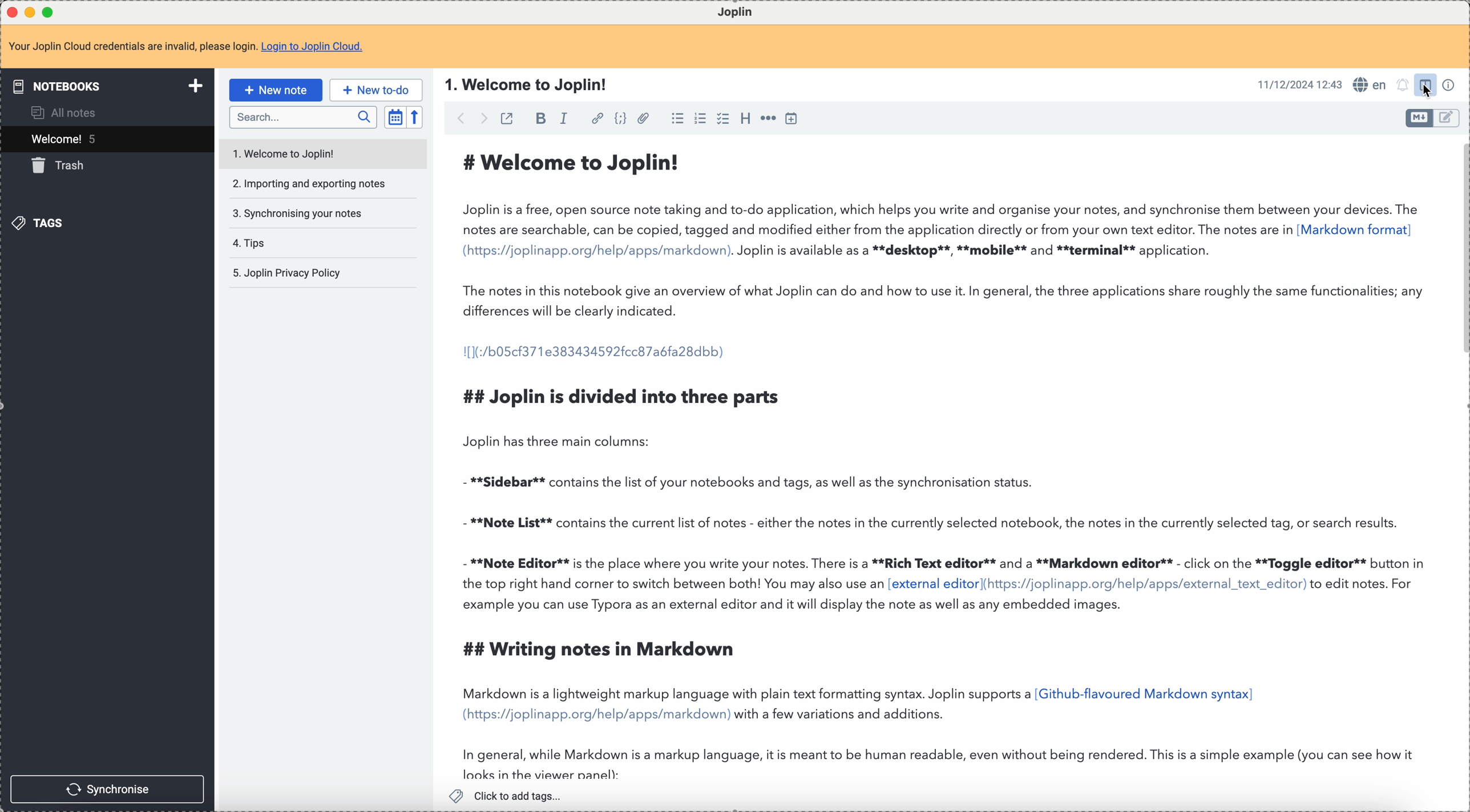  Describe the element at coordinates (250, 242) in the screenshot. I see `tips` at that location.